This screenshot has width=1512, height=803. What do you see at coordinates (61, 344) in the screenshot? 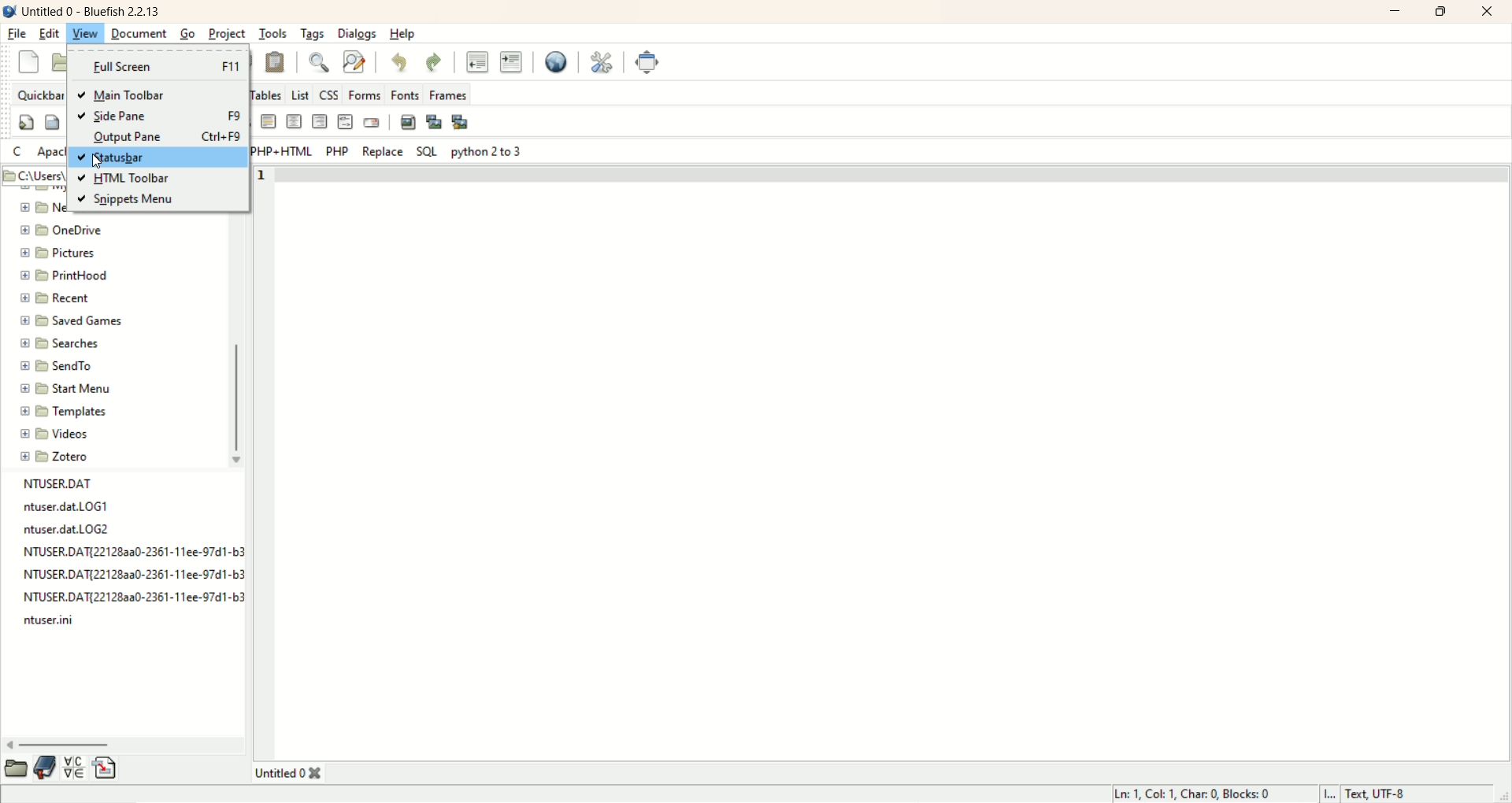
I see `searches` at bounding box center [61, 344].